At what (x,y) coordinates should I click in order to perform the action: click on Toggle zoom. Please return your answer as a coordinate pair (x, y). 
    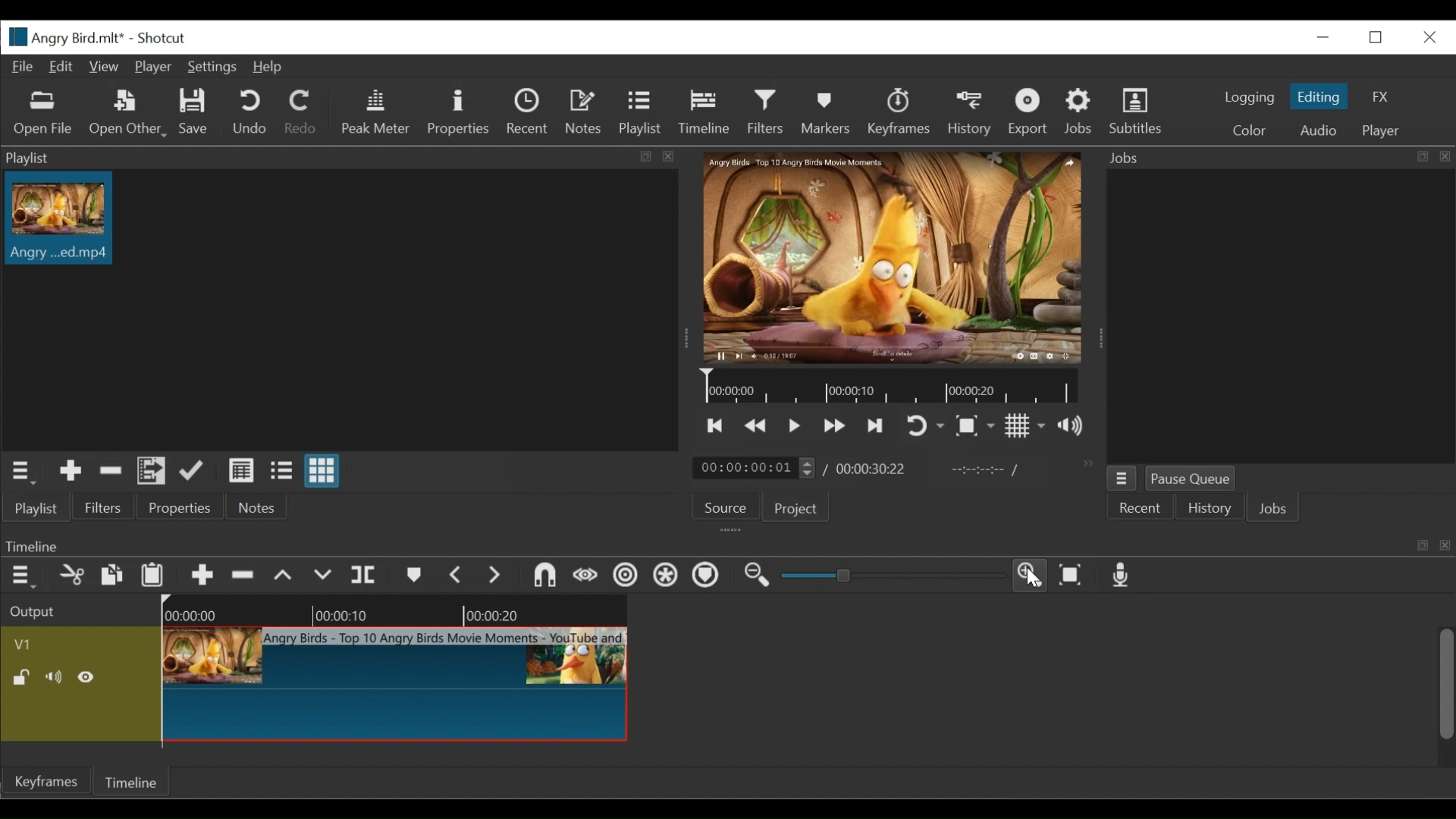
    Looking at the image, I should click on (975, 425).